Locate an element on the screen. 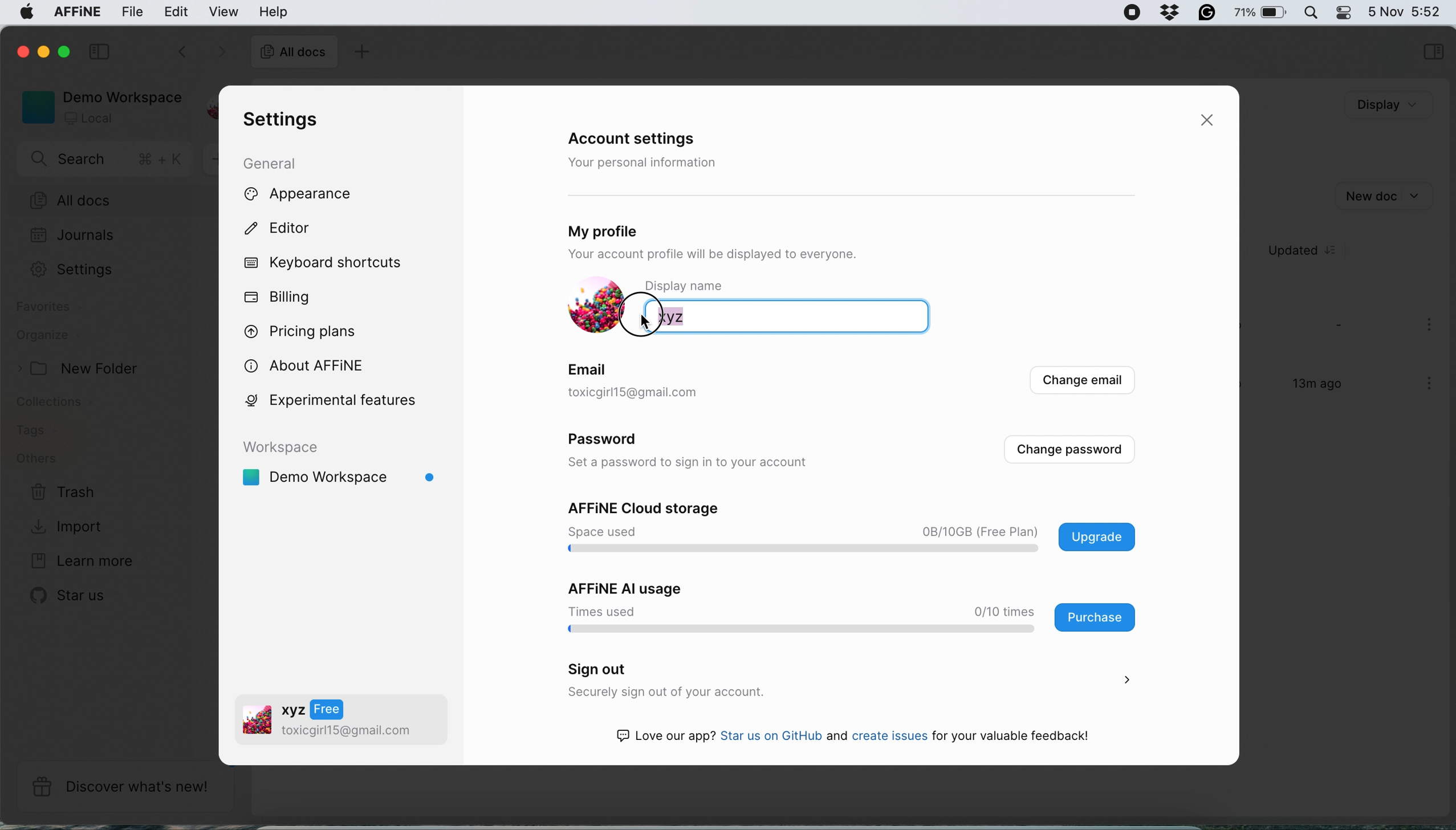 The width and height of the screenshot is (1456, 830). your personal information is located at coordinates (646, 162).